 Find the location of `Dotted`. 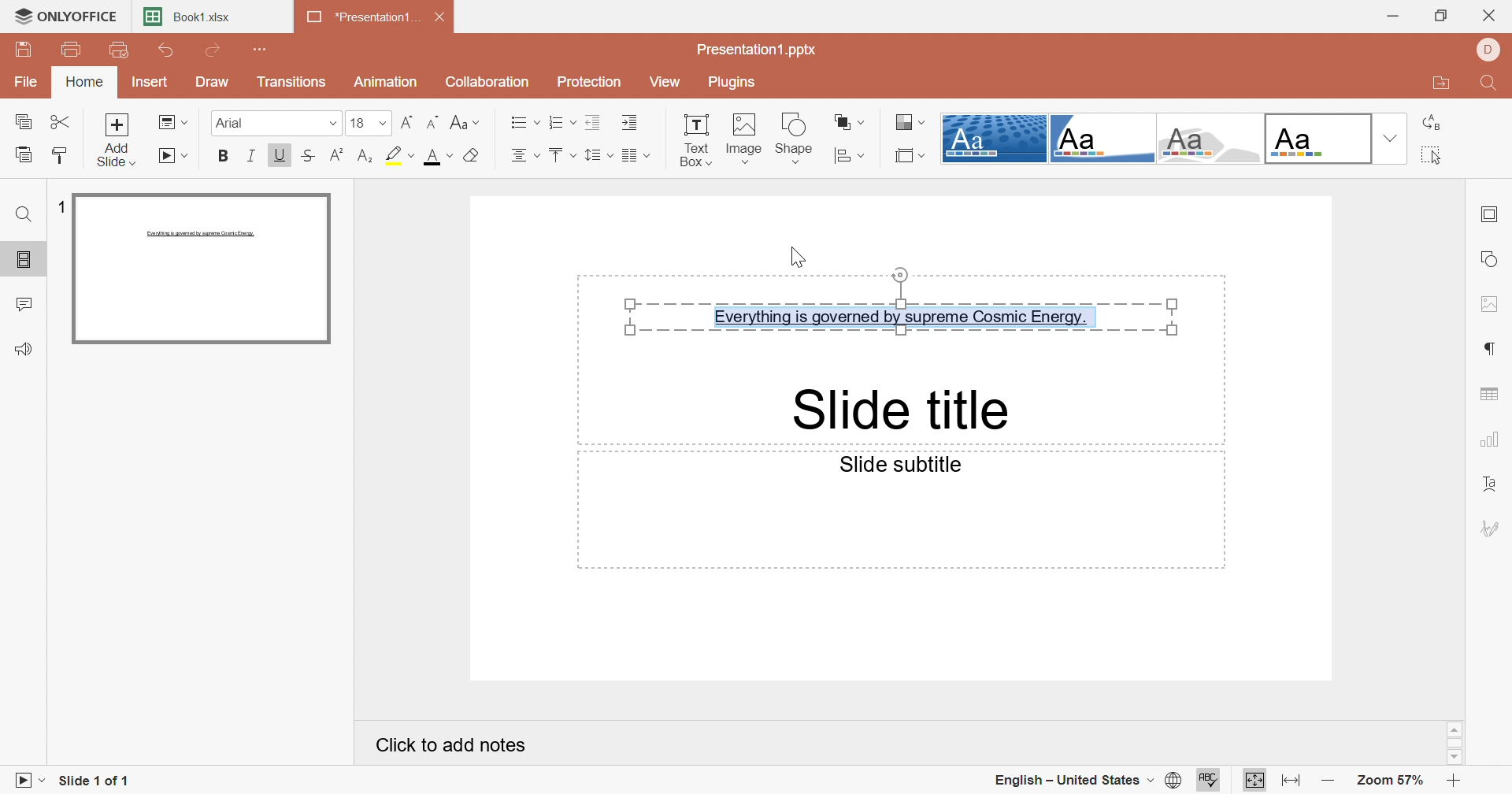

Dotted is located at coordinates (996, 139).